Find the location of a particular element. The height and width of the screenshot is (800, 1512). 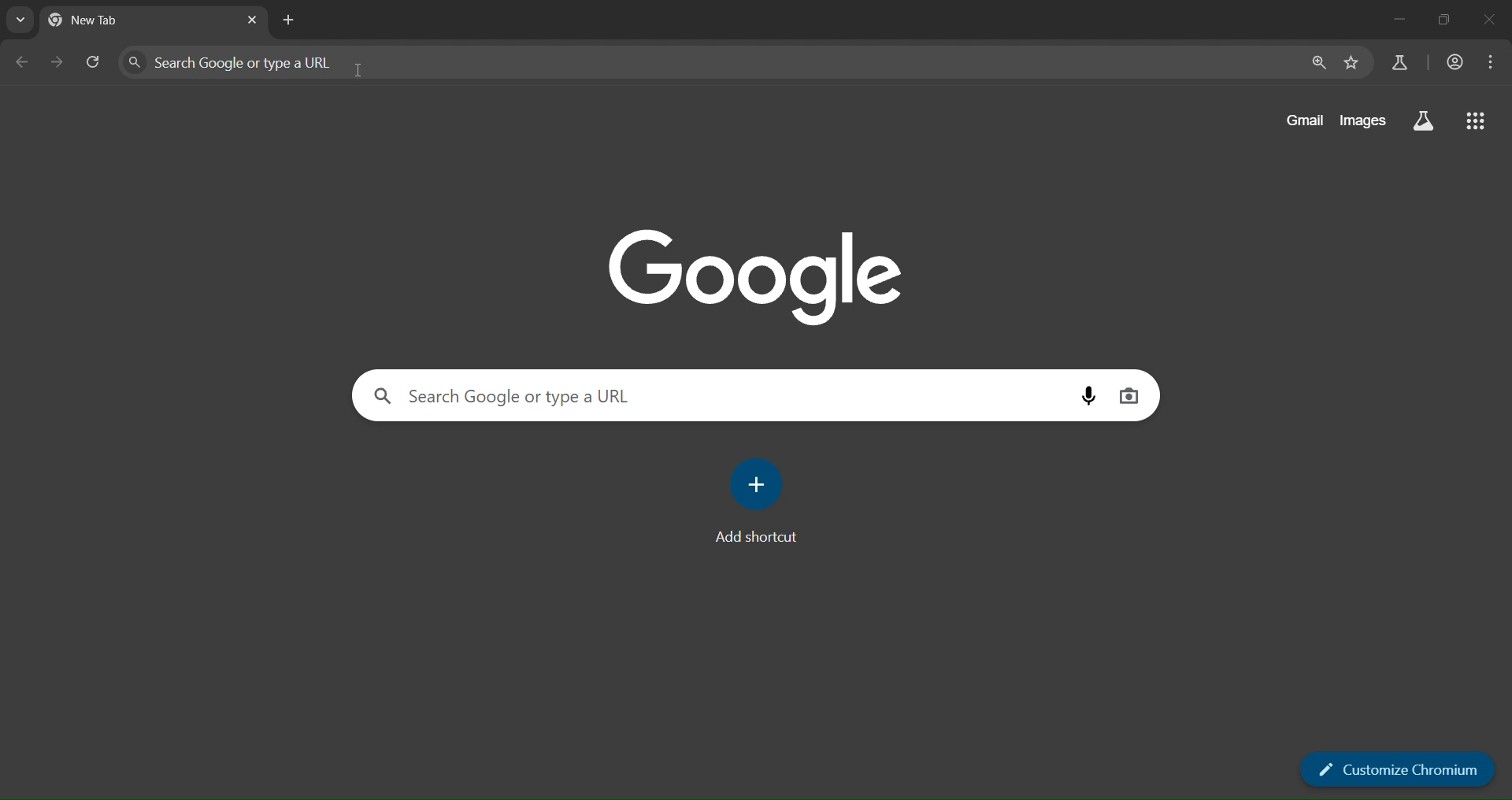

search labs is located at coordinates (20, 22).